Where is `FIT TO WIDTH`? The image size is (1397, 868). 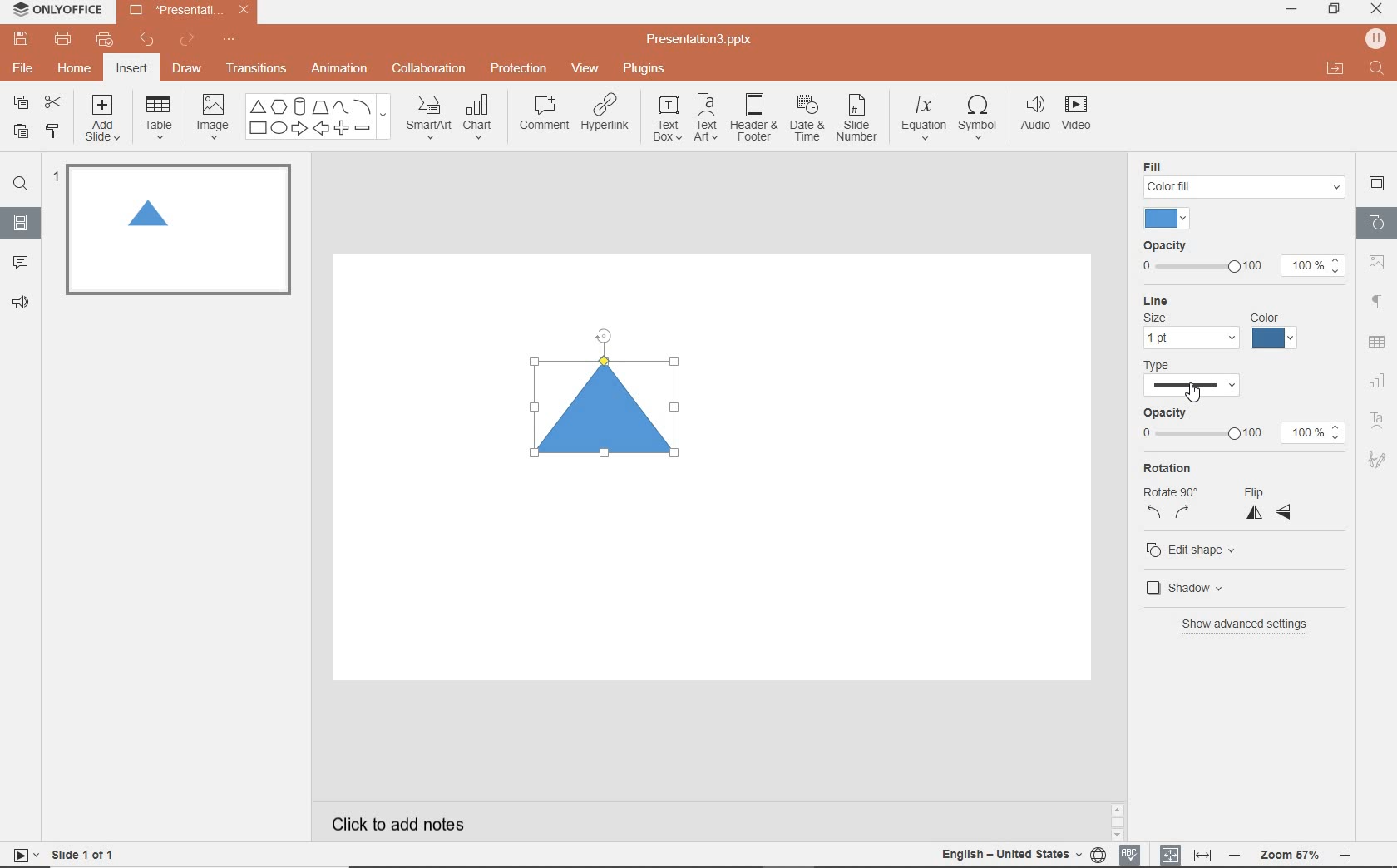
FIT TO WIDTH is located at coordinates (1202, 856).